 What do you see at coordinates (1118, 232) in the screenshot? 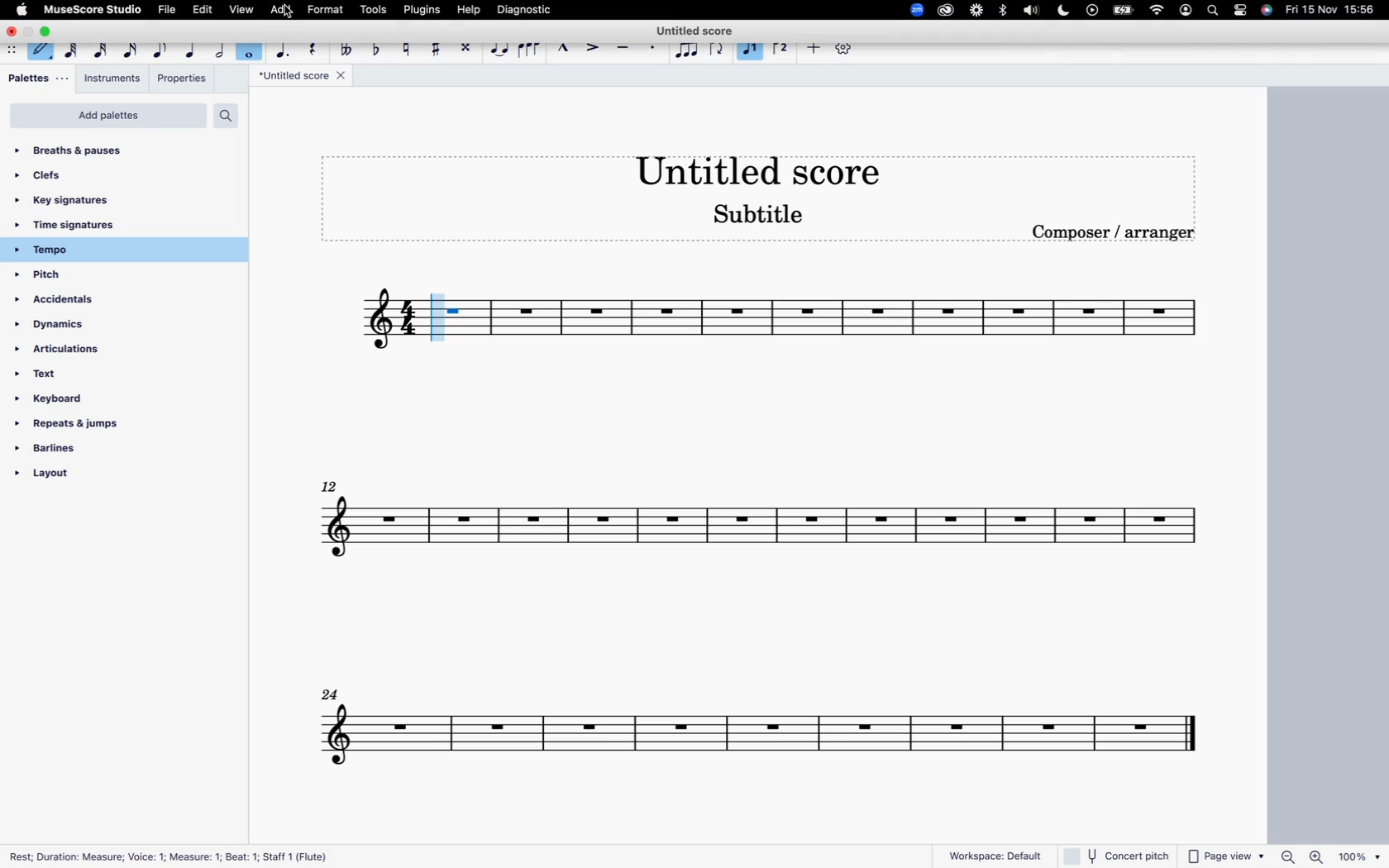
I see `composer / arranger` at bounding box center [1118, 232].